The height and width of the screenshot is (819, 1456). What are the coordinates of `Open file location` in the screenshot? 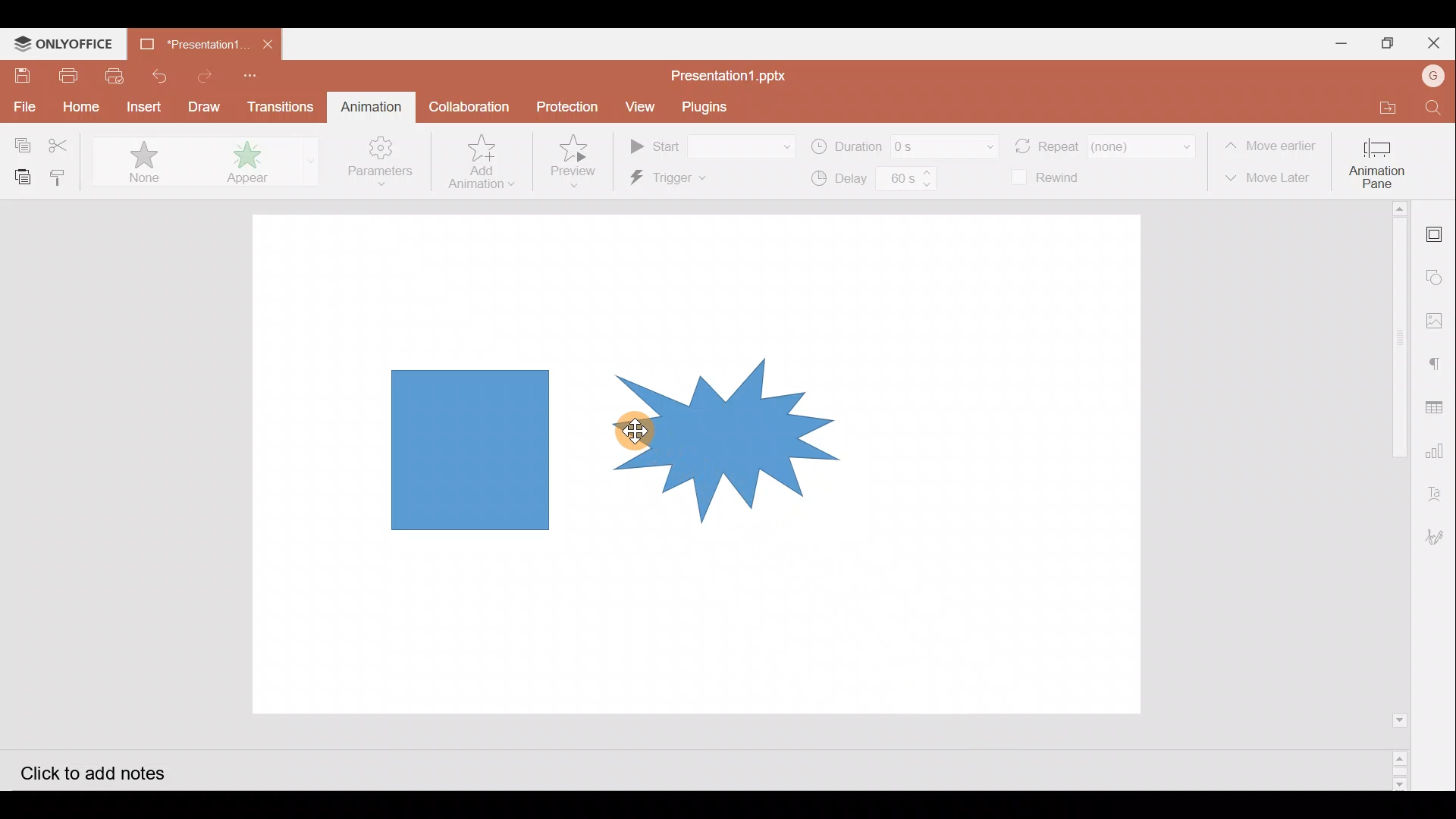 It's located at (1377, 108).